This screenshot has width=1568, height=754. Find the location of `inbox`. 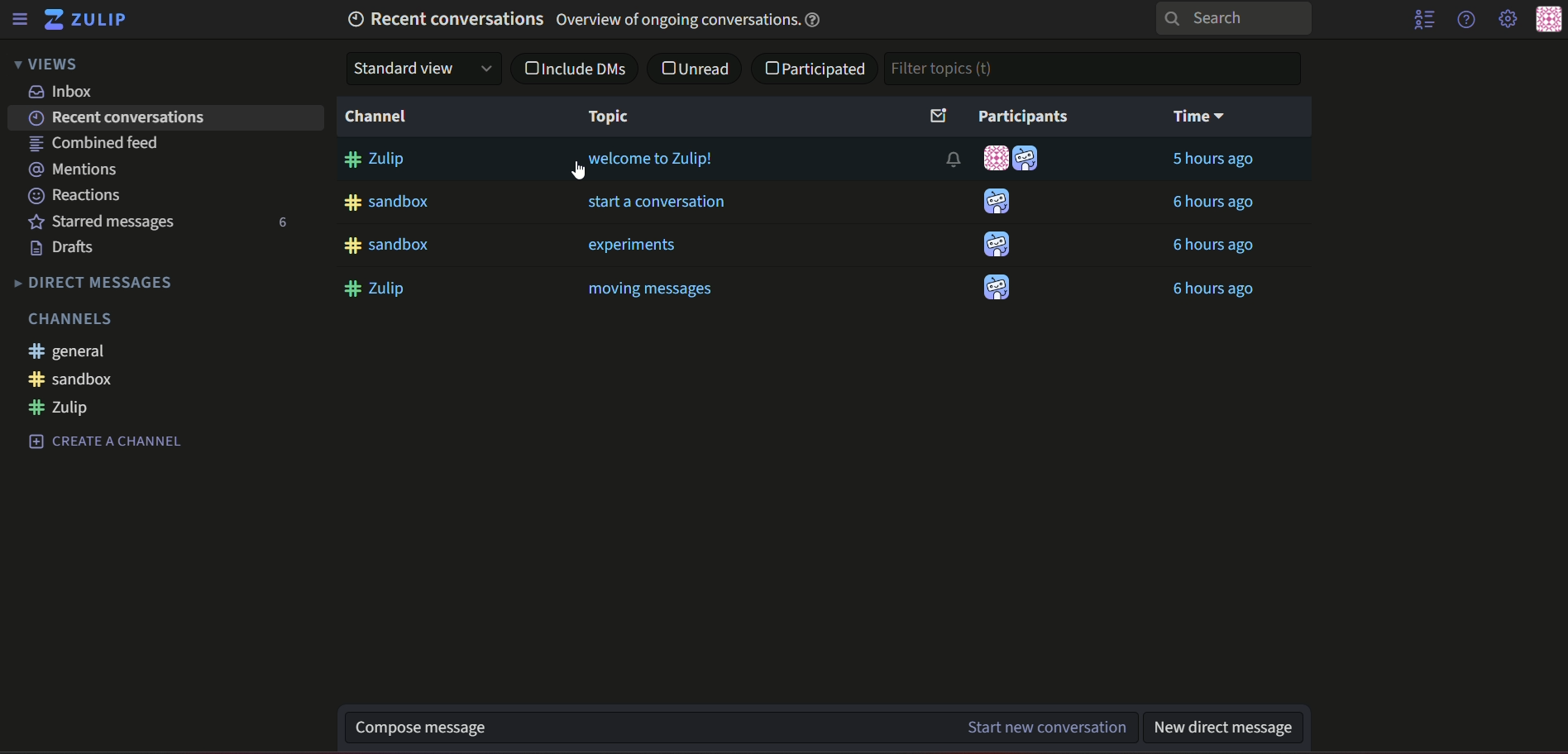

inbox is located at coordinates (67, 91).